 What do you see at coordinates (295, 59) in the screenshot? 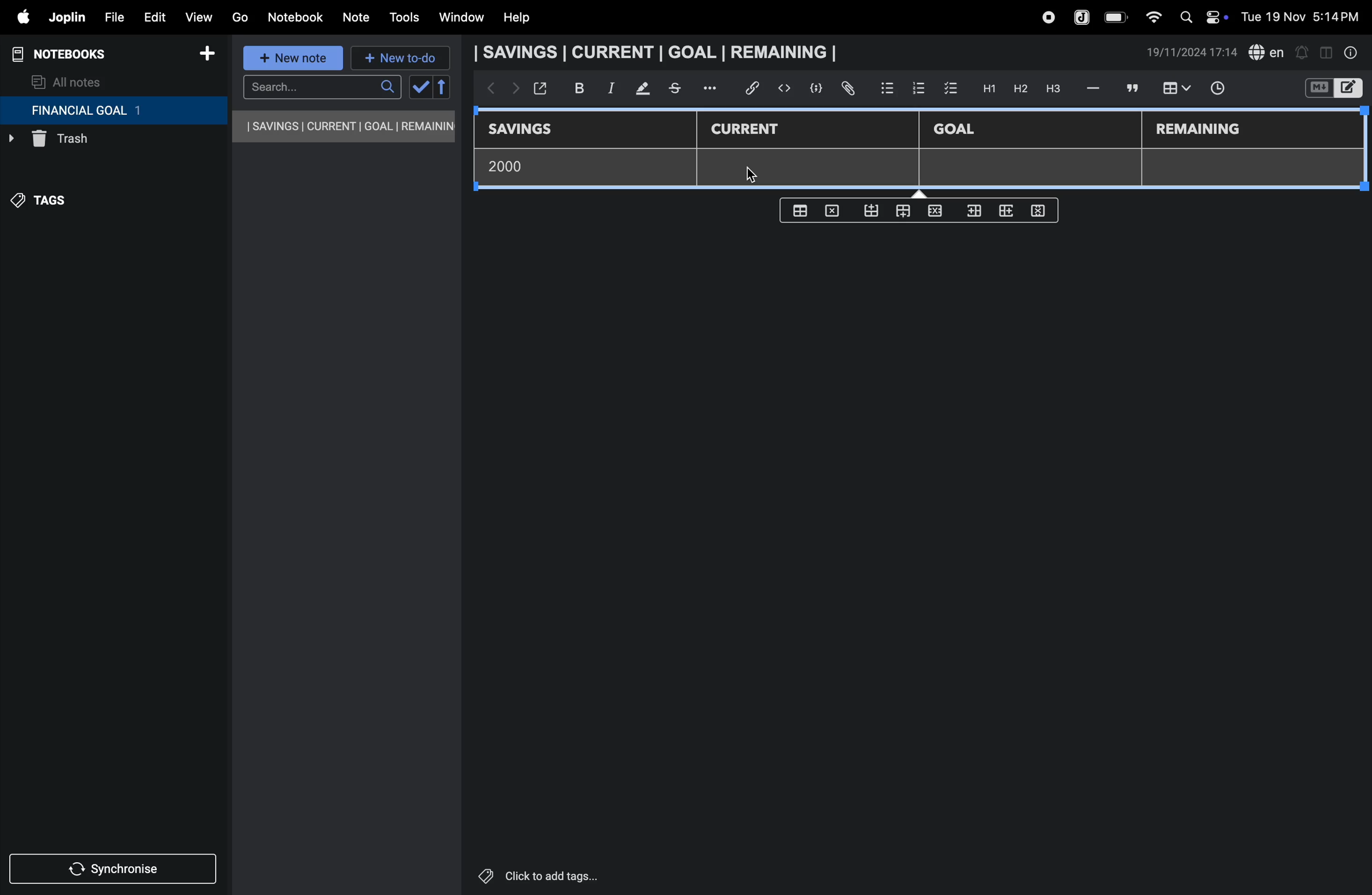
I see `new note` at bounding box center [295, 59].